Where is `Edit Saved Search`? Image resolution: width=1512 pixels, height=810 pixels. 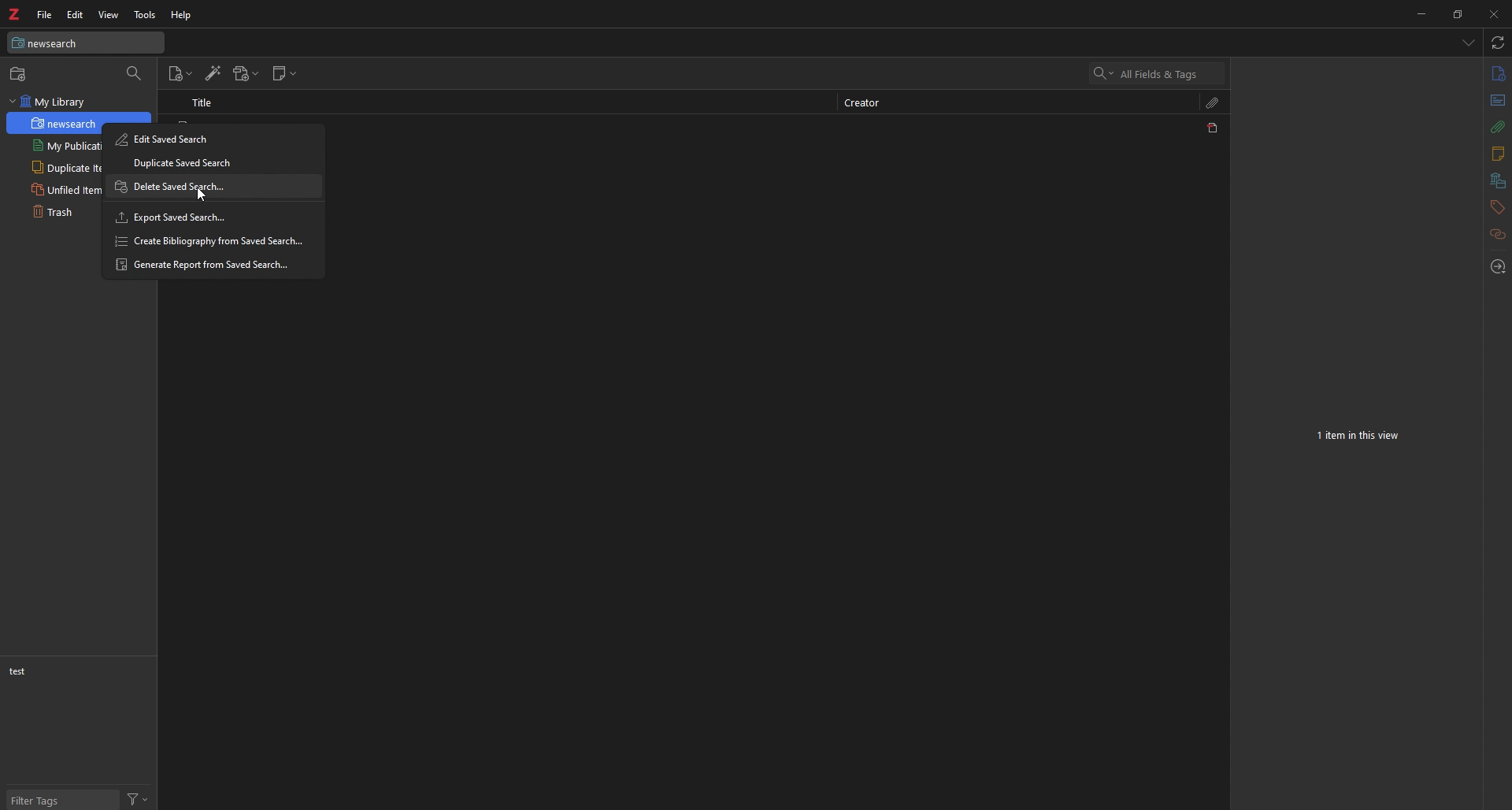 Edit Saved Search is located at coordinates (165, 139).